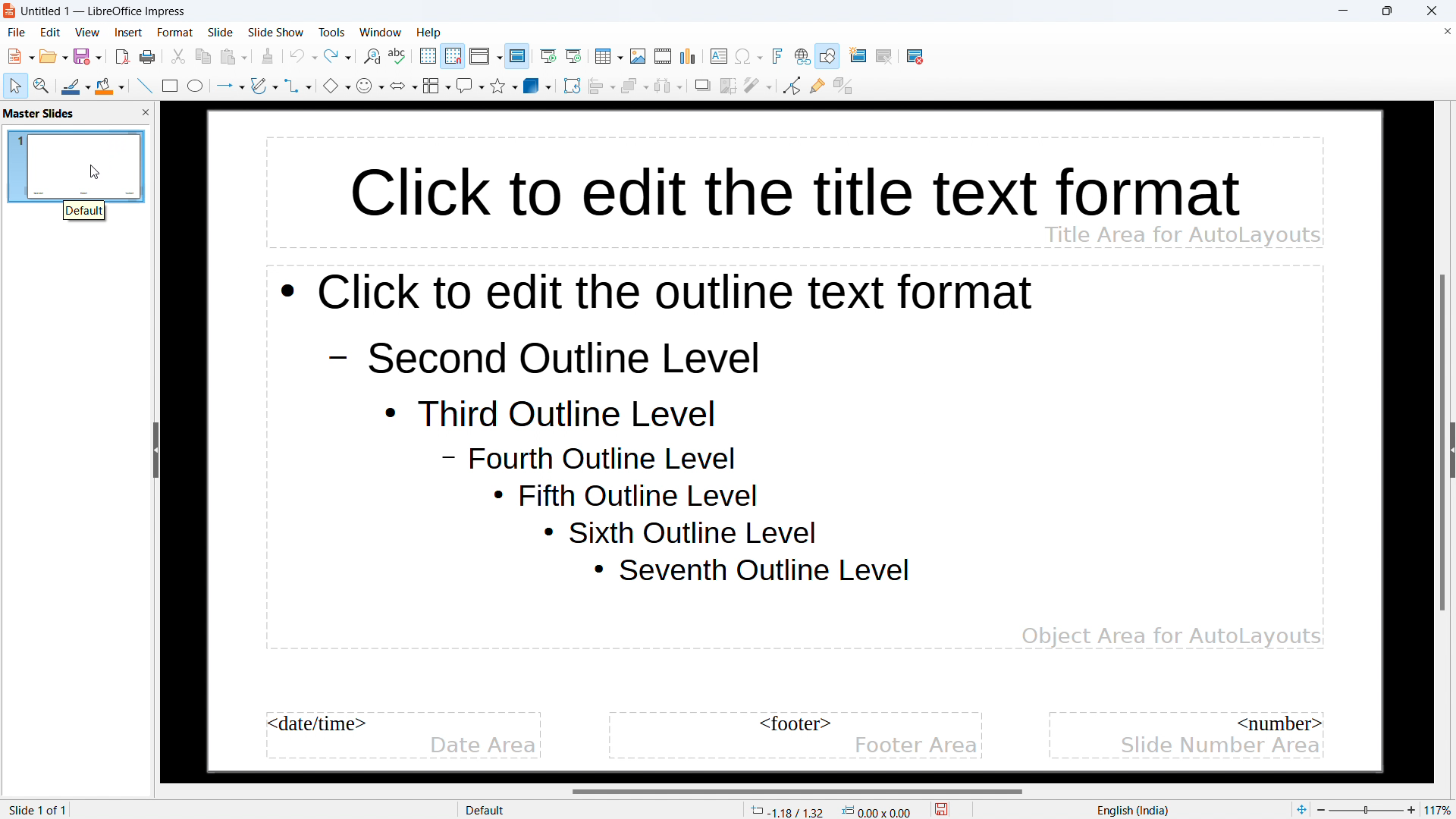 This screenshot has width=1456, height=819. What do you see at coordinates (572, 86) in the screenshot?
I see `rotate` at bounding box center [572, 86].